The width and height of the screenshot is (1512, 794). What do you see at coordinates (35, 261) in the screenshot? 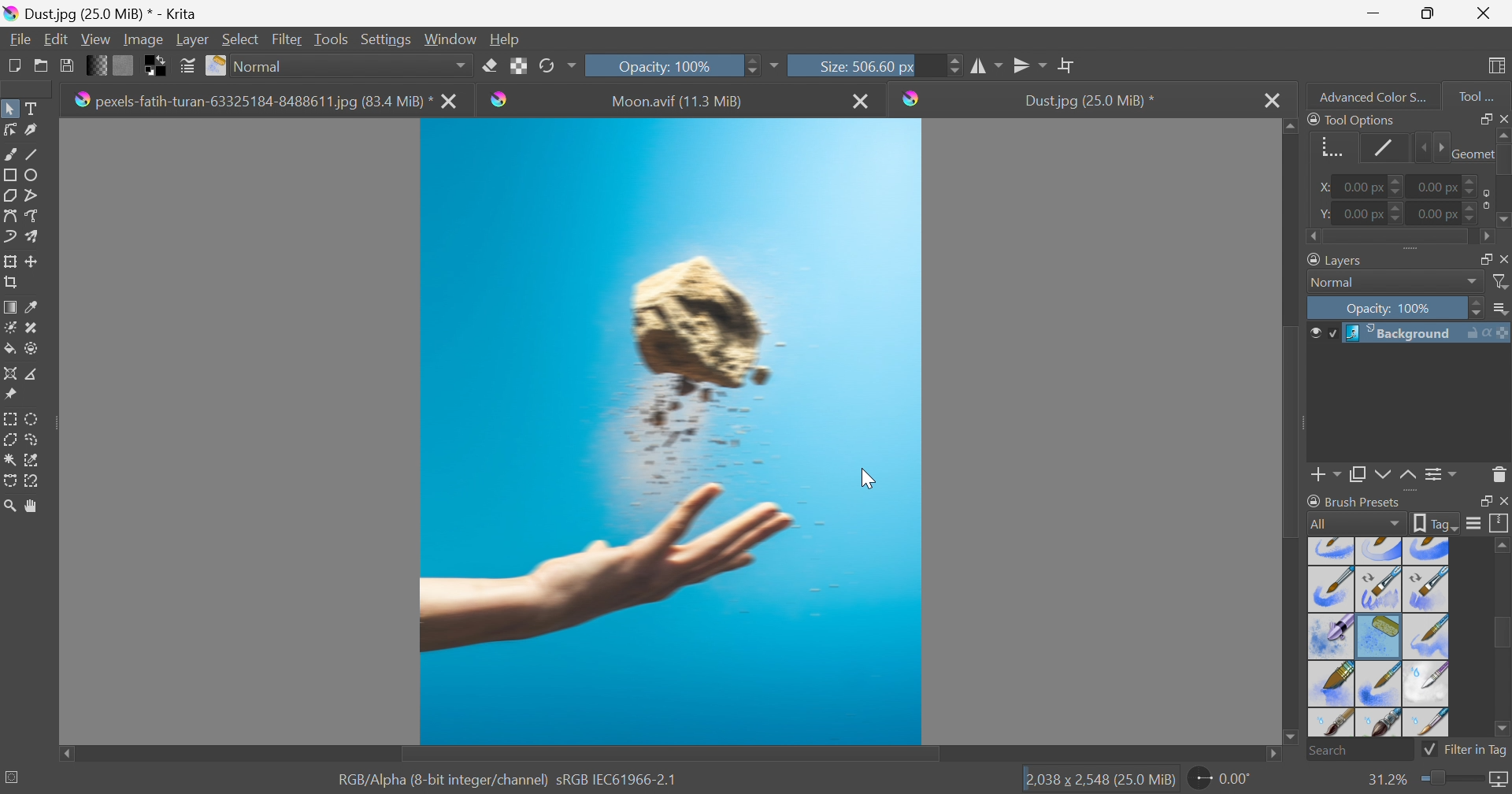
I see `Move a layer` at bounding box center [35, 261].